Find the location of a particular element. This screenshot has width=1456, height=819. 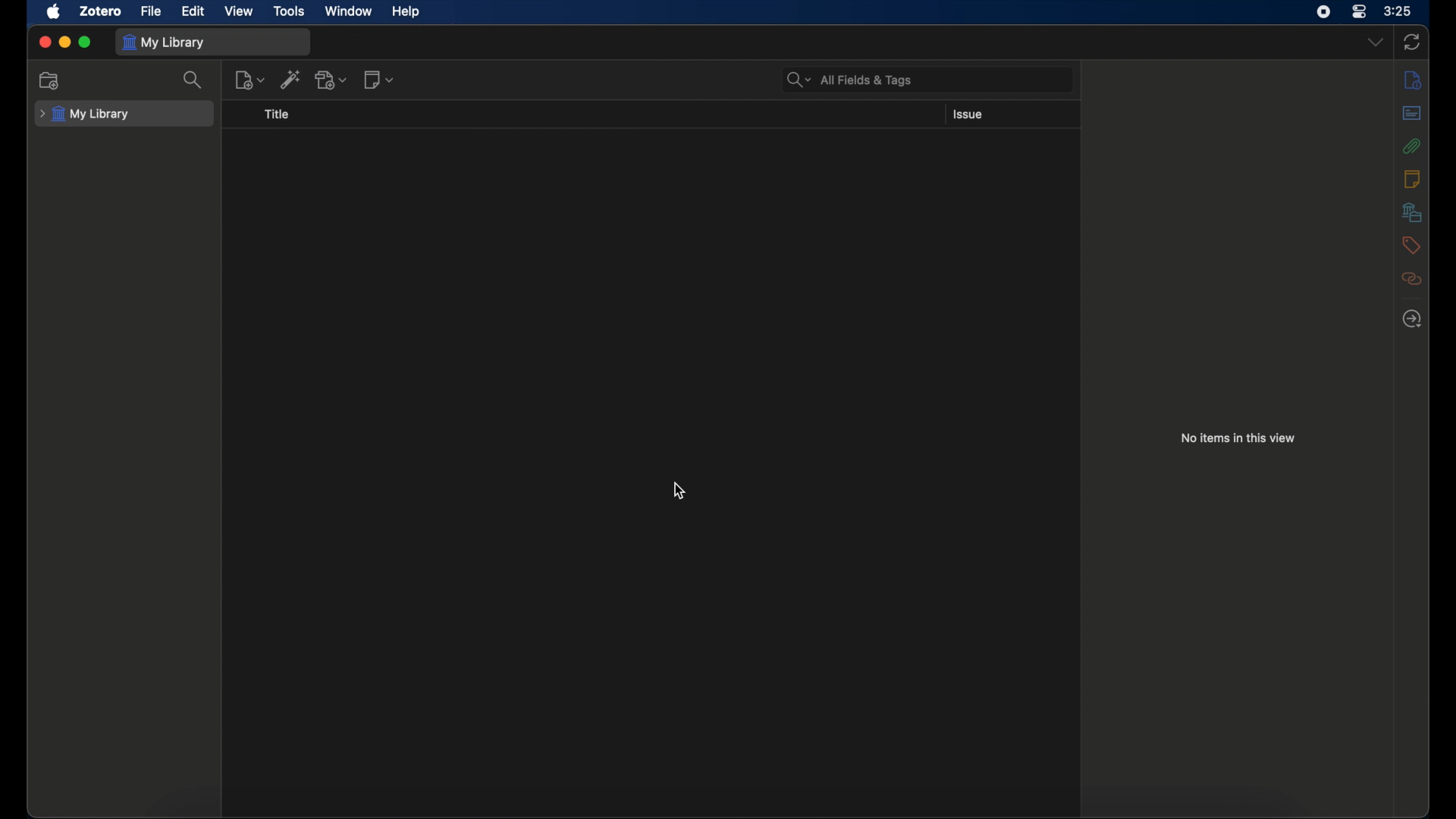

issue is located at coordinates (968, 115).